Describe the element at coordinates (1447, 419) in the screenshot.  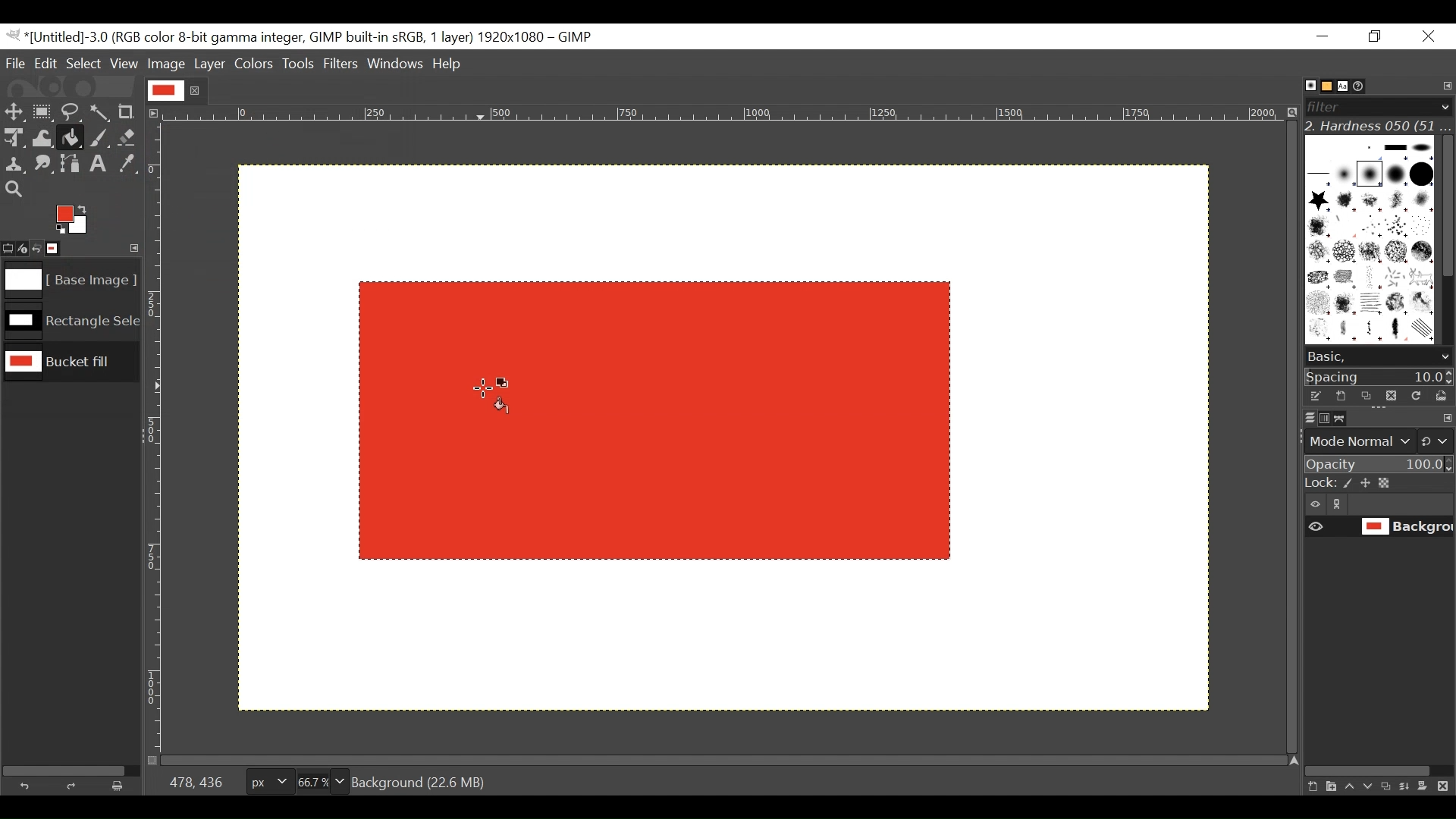
I see `configure this tab` at that location.